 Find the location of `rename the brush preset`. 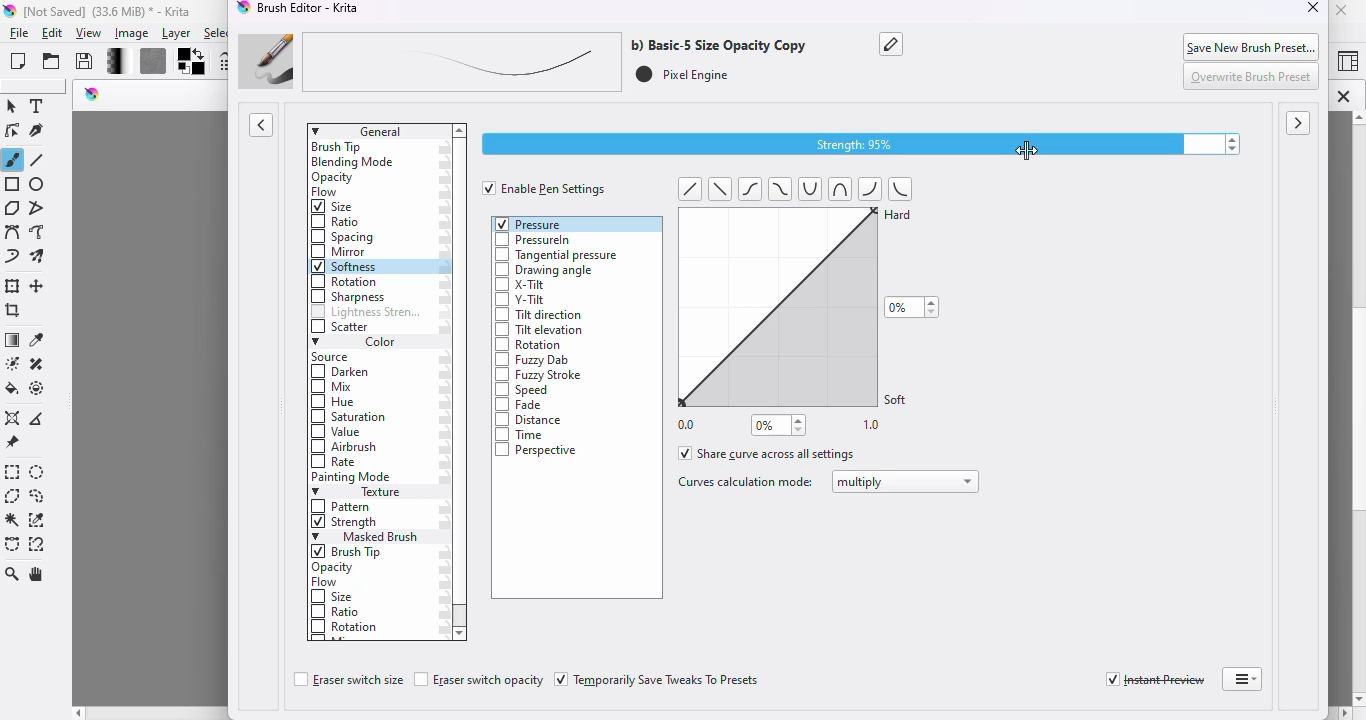

rename the brush preset is located at coordinates (892, 45).